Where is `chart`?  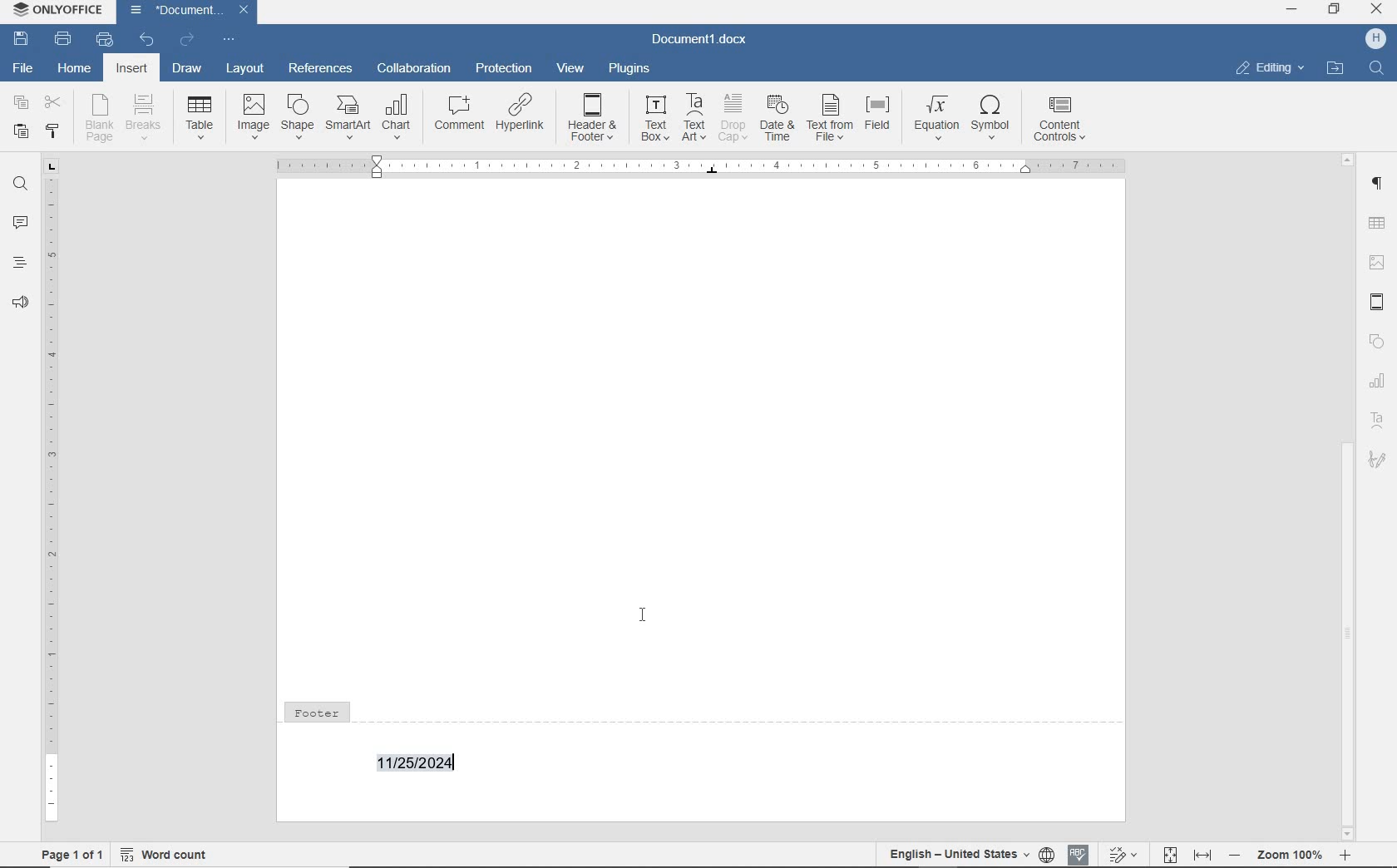
chart is located at coordinates (398, 115).